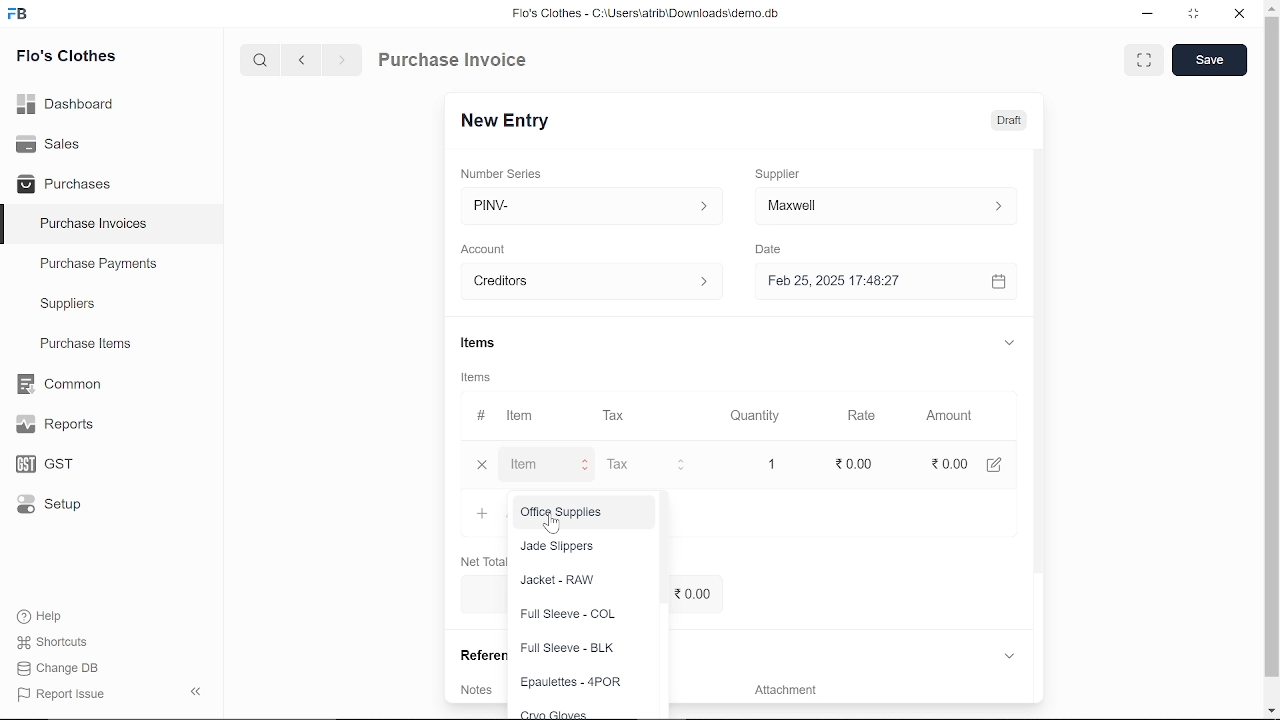 Image resolution: width=1280 pixels, height=720 pixels. I want to click on Items, so click(490, 379).